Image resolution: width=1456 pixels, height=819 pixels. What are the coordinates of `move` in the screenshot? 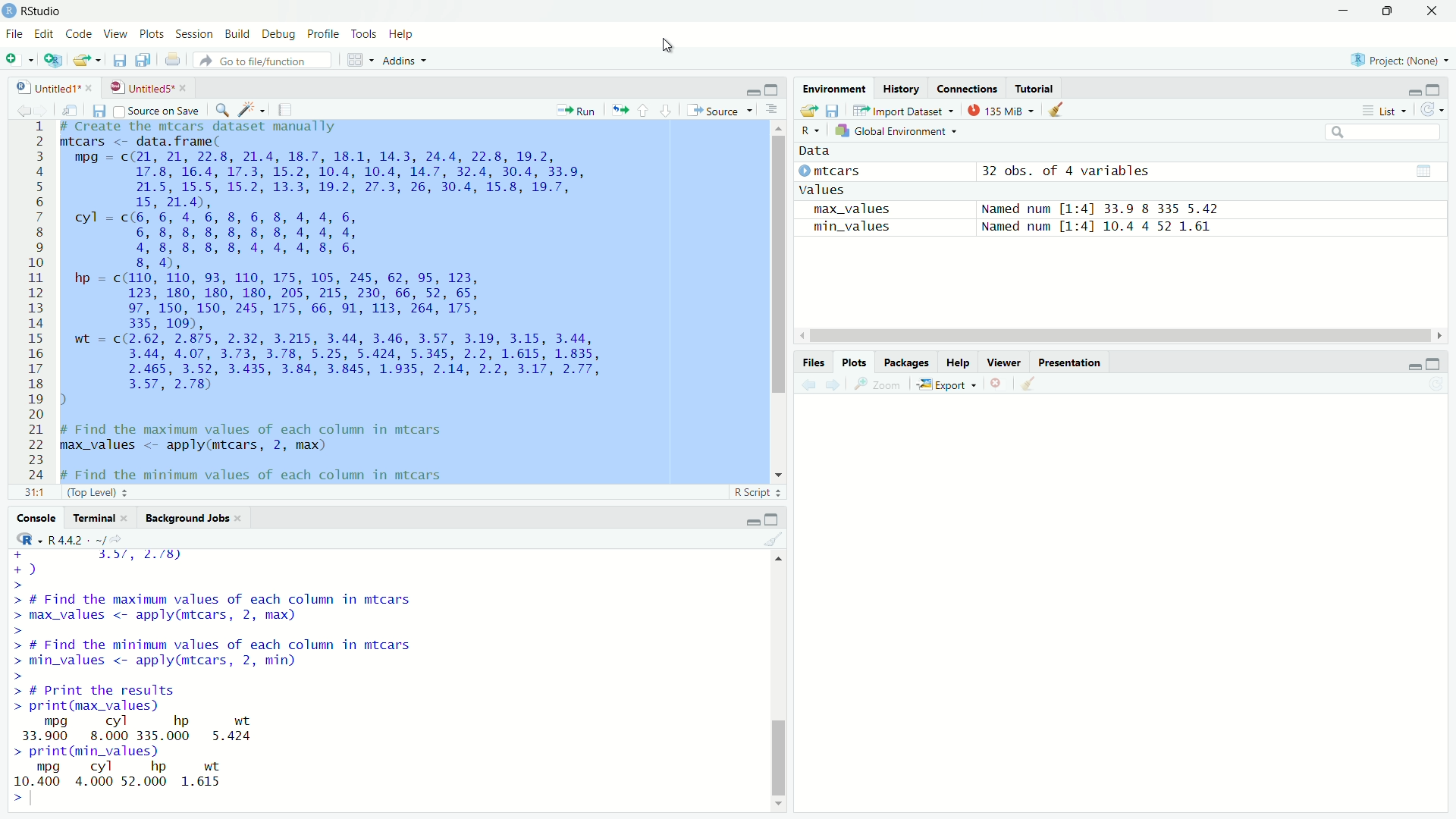 It's located at (619, 107).